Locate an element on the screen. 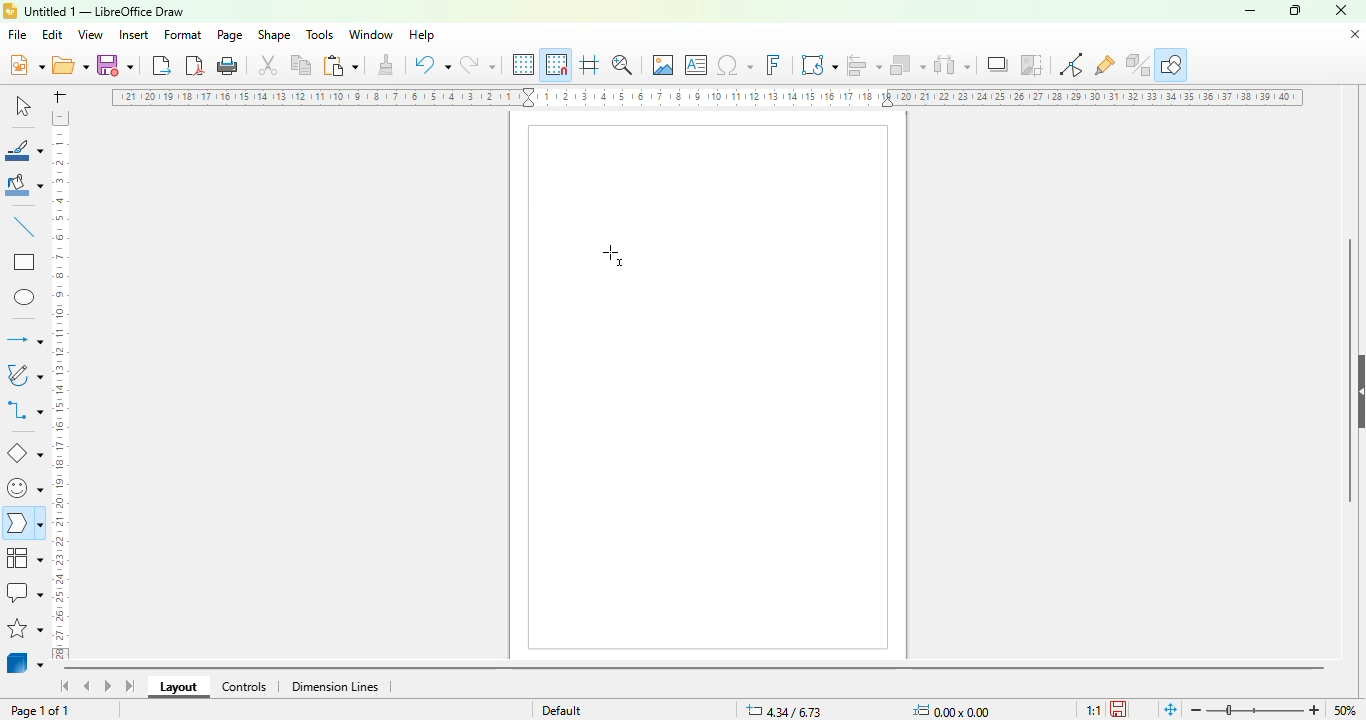  save is located at coordinates (115, 65).